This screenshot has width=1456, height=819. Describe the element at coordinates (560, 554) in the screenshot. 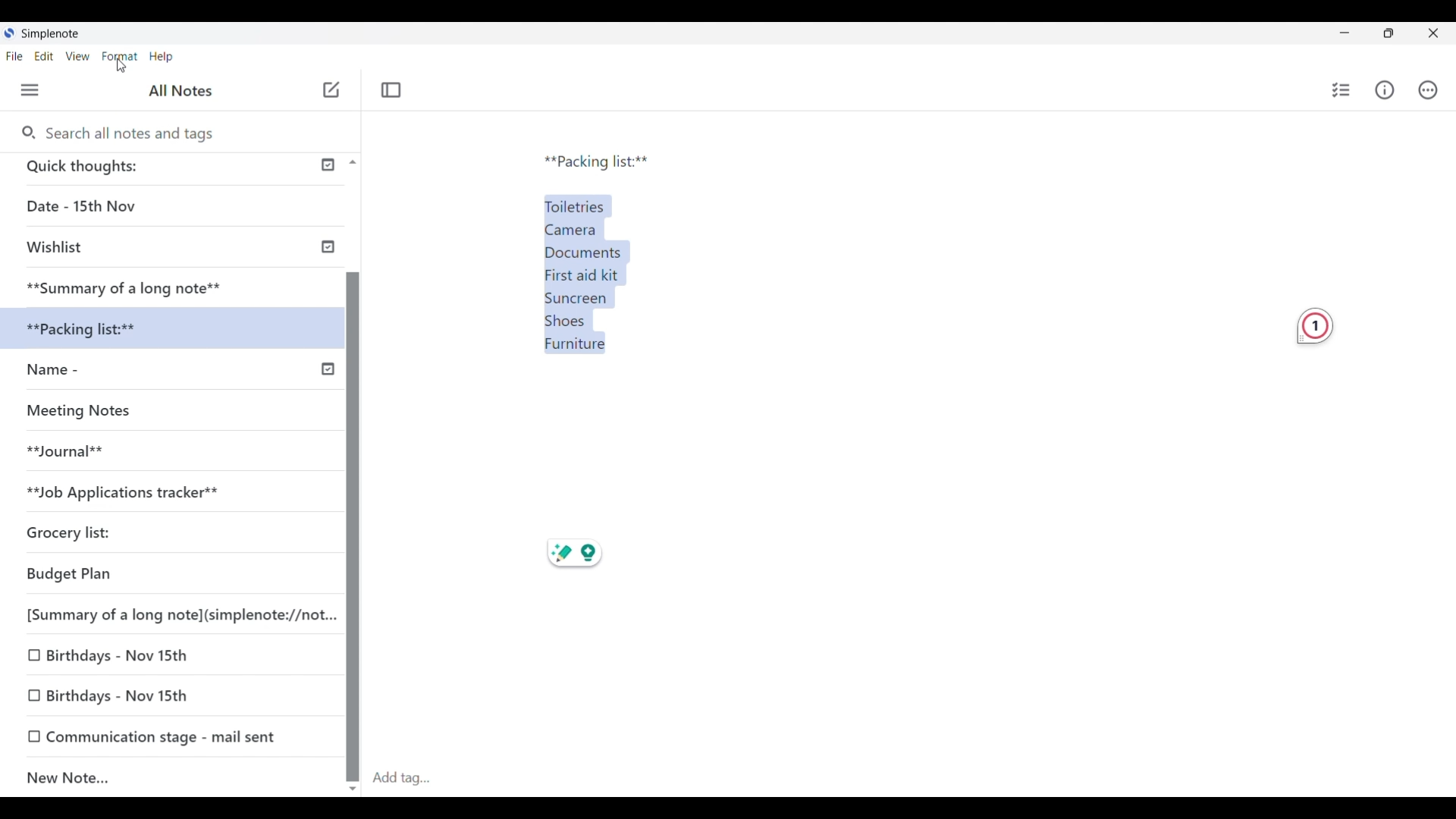

I see `Sharp` at that location.